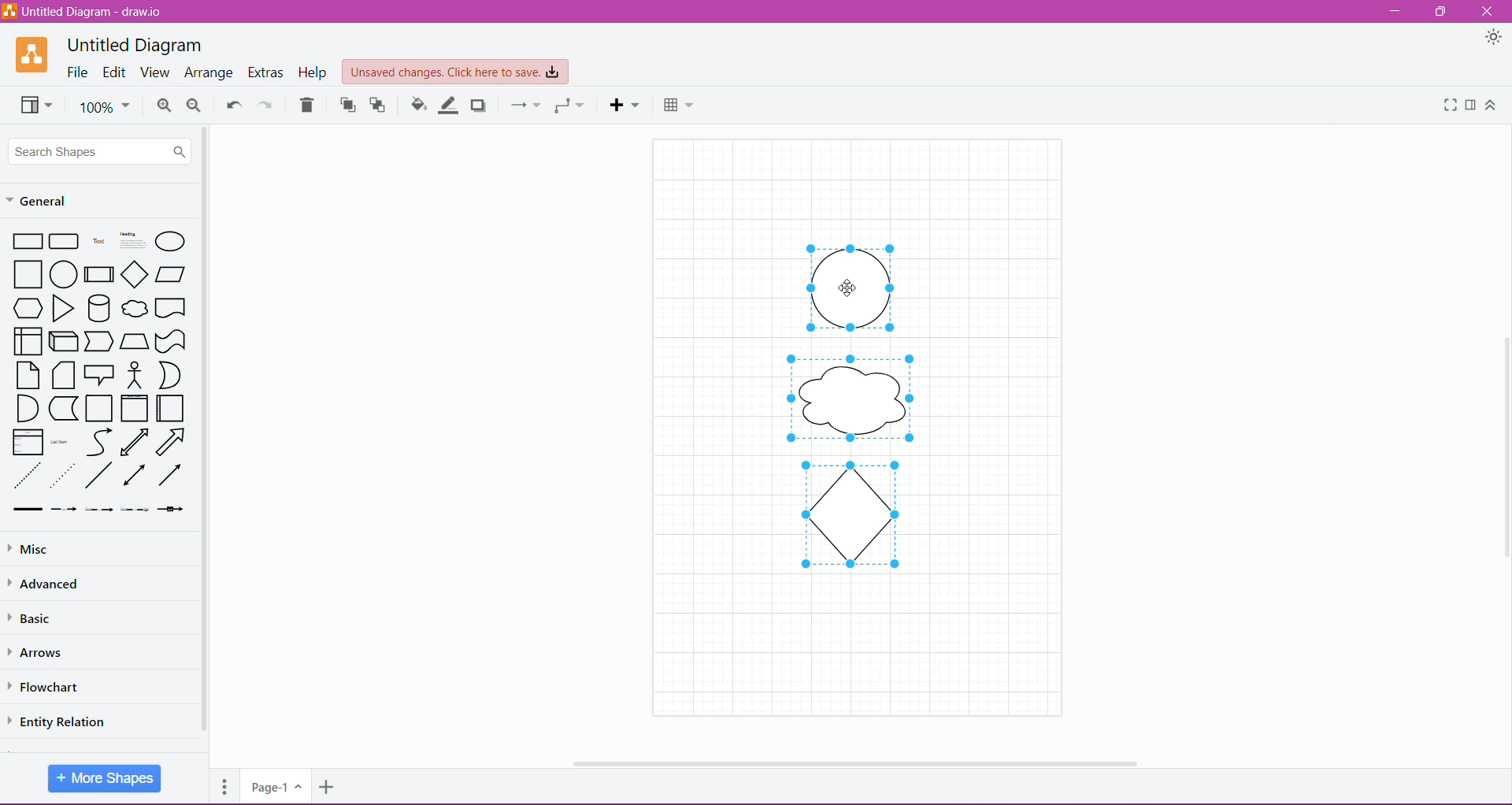 The width and height of the screenshot is (1512, 805). Describe the element at coordinates (267, 72) in the screenshot. I see `Extras` at that location.